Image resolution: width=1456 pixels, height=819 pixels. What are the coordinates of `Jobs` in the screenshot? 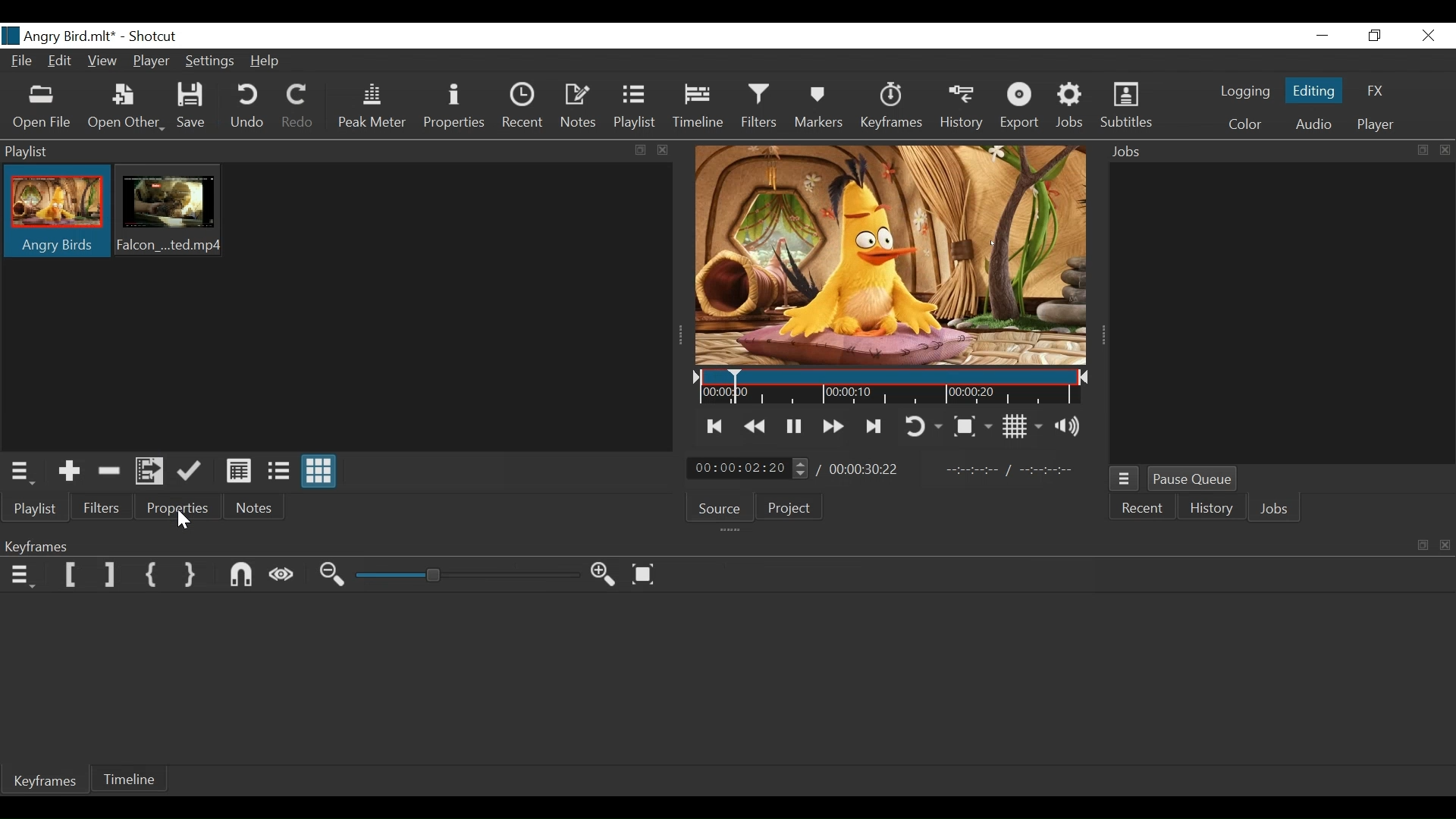 It's located at (1070, 108).